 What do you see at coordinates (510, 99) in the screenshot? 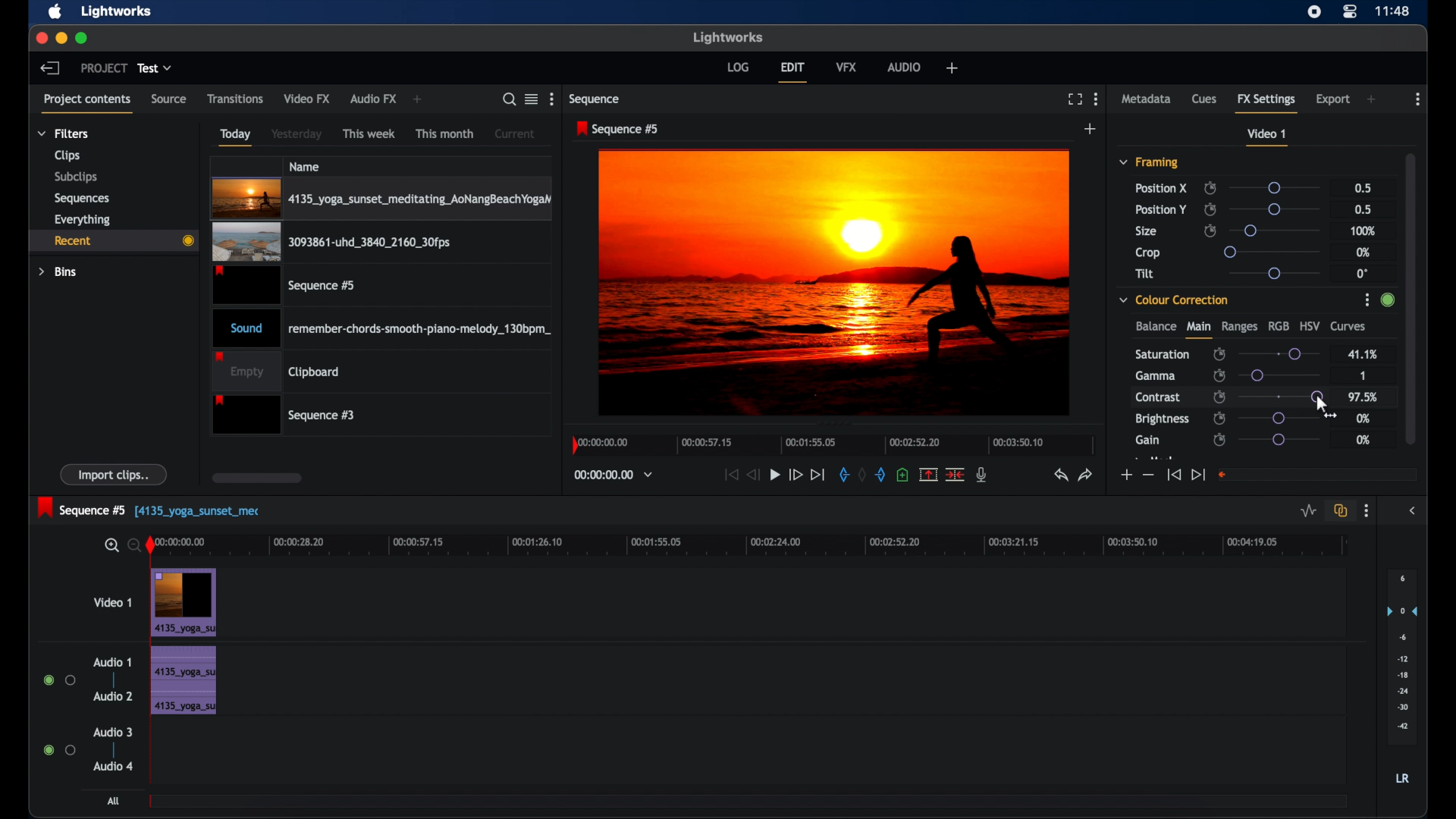
I see `search` at bounding box center [510, 99].